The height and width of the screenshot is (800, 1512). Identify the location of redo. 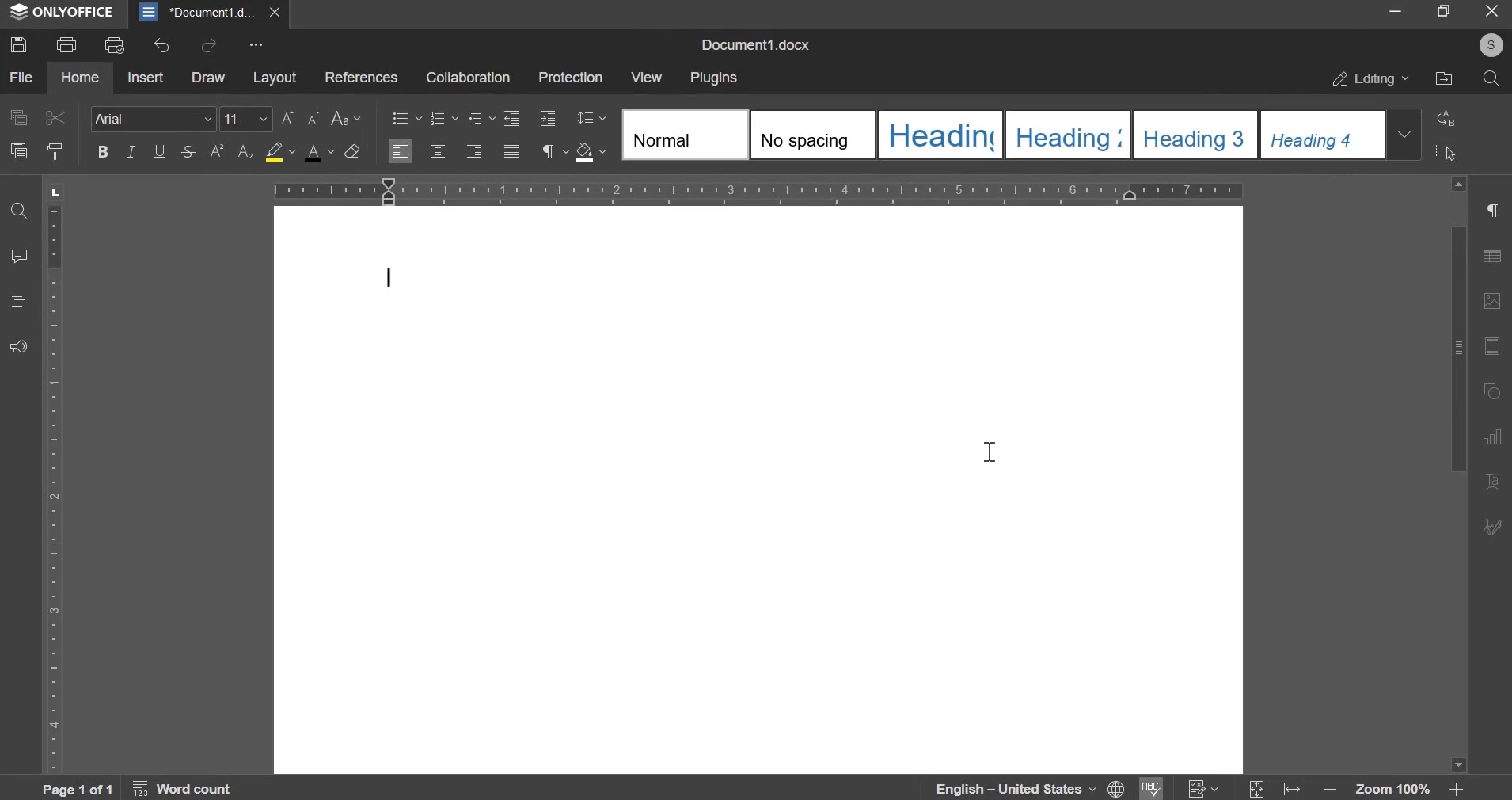
(209, 47).